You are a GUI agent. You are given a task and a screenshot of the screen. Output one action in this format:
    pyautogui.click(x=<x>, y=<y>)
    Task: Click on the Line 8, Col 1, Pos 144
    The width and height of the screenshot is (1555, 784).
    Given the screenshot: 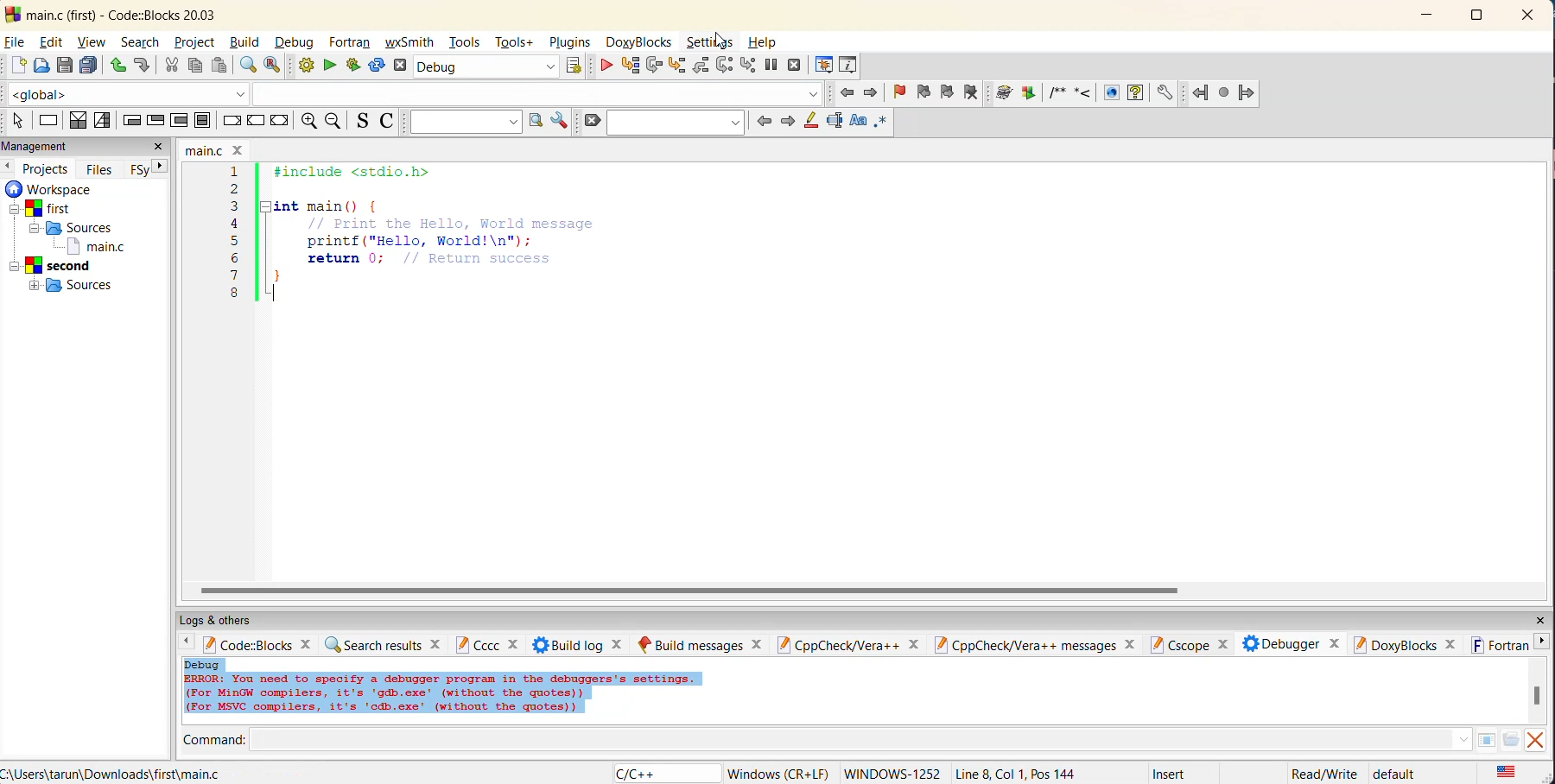 What is the action you would take?
    pyautogui.click(x=1016, y=773)
    